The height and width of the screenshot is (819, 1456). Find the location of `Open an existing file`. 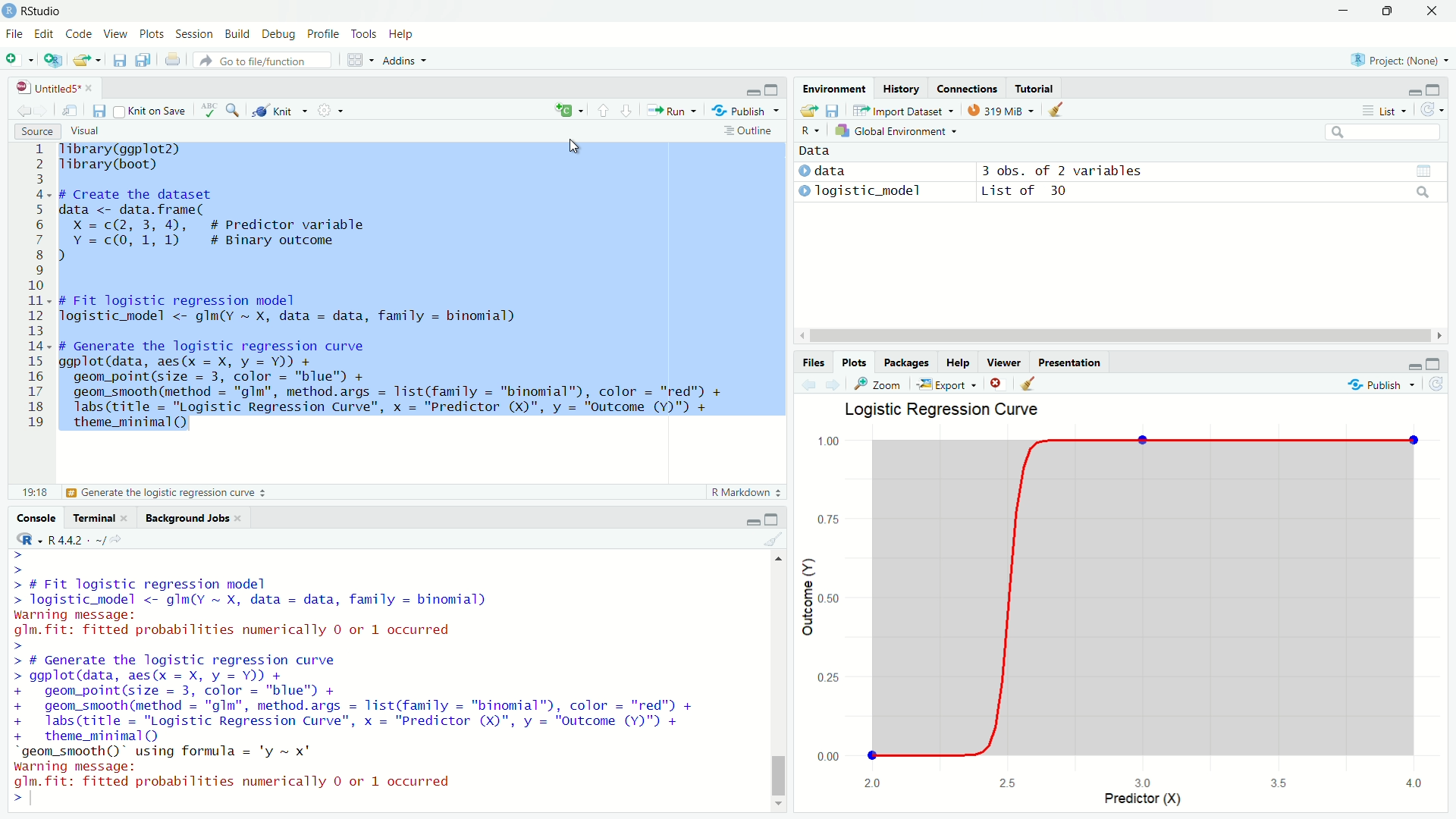

Open an existing file is located at coordinates (80, 61).